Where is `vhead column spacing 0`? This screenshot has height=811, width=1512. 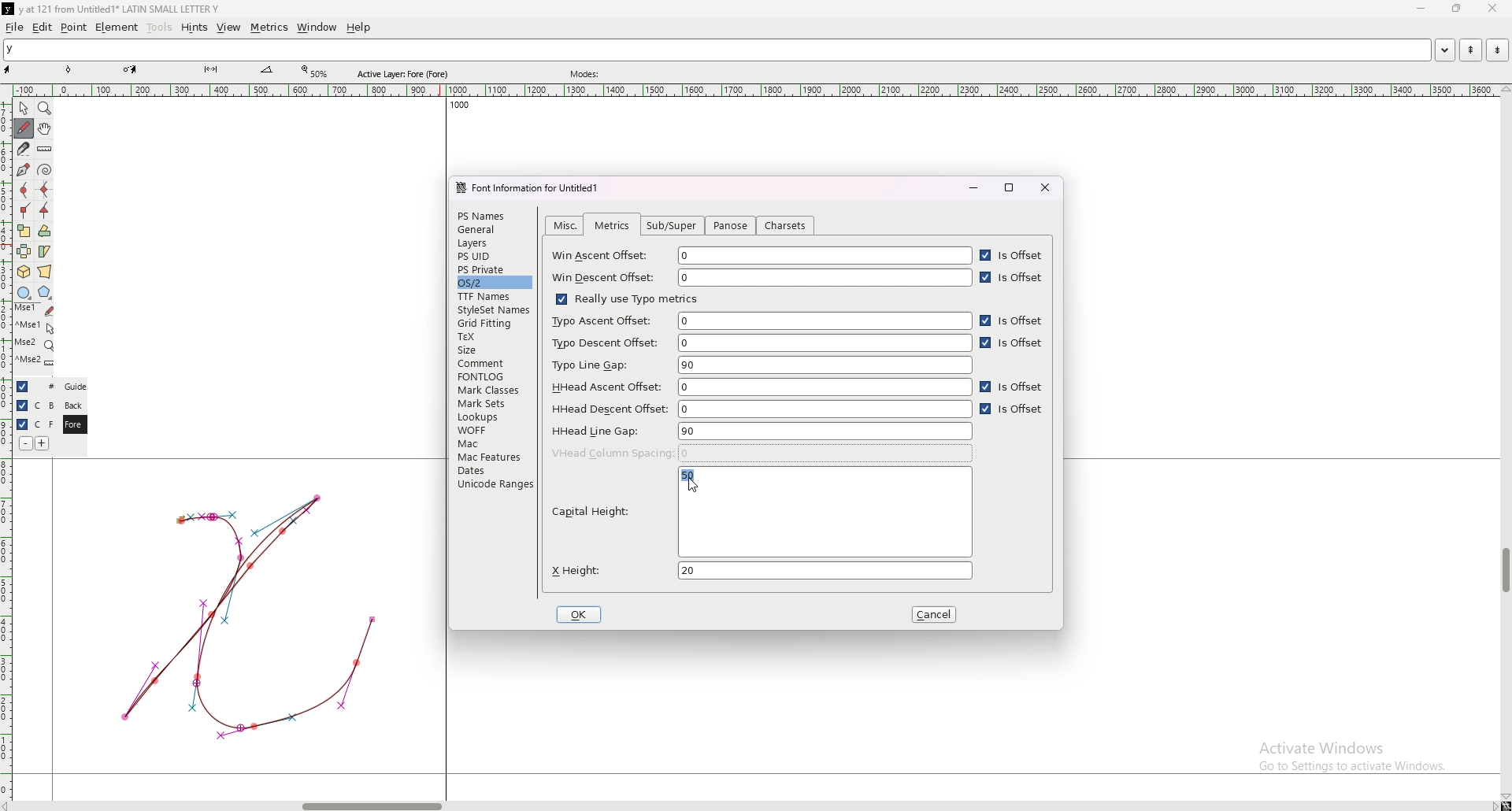 vhead column spacing 0 is located at coordinates (762, 453).